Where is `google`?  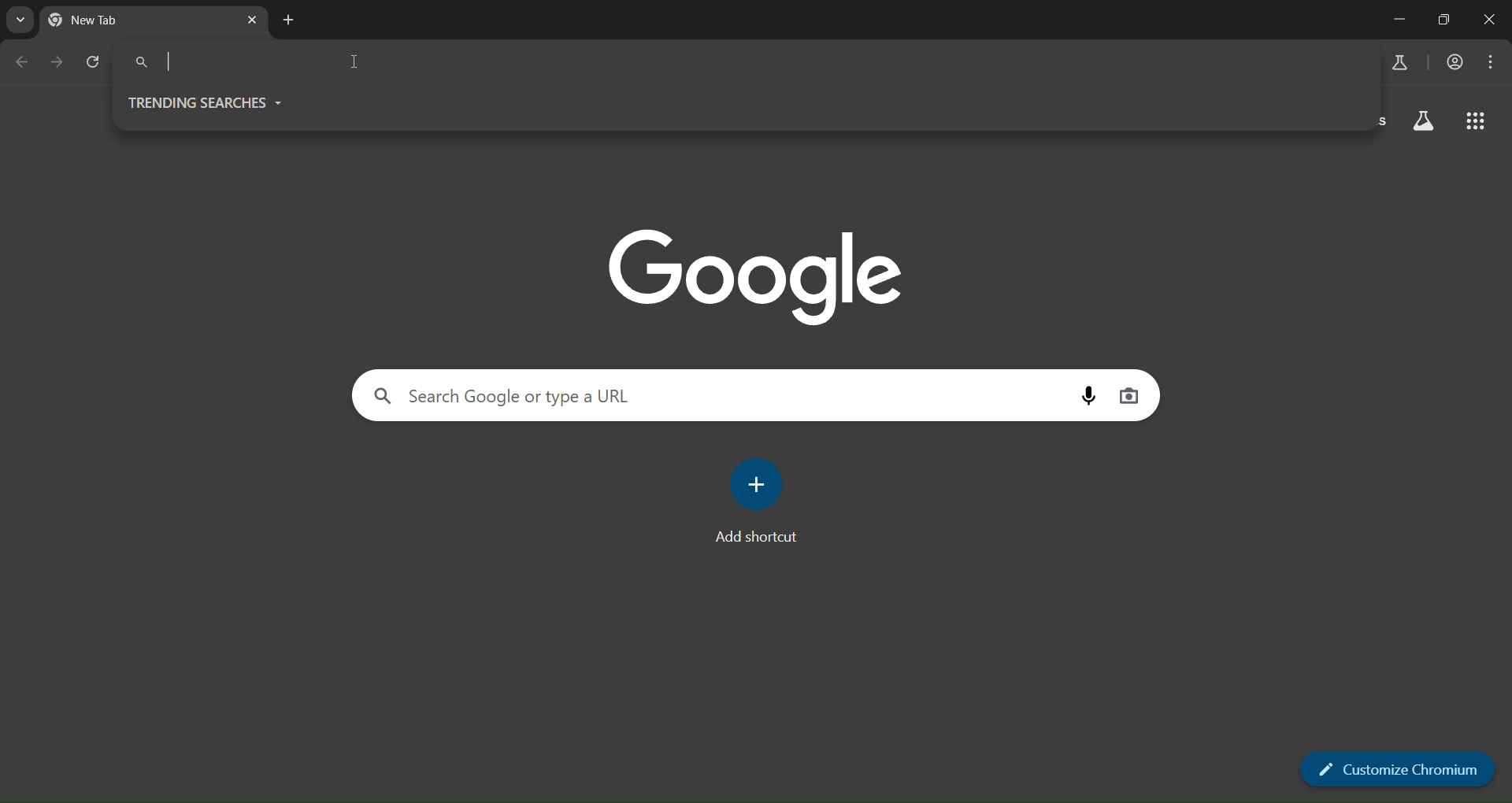
google is located at coordinates (753, 272).